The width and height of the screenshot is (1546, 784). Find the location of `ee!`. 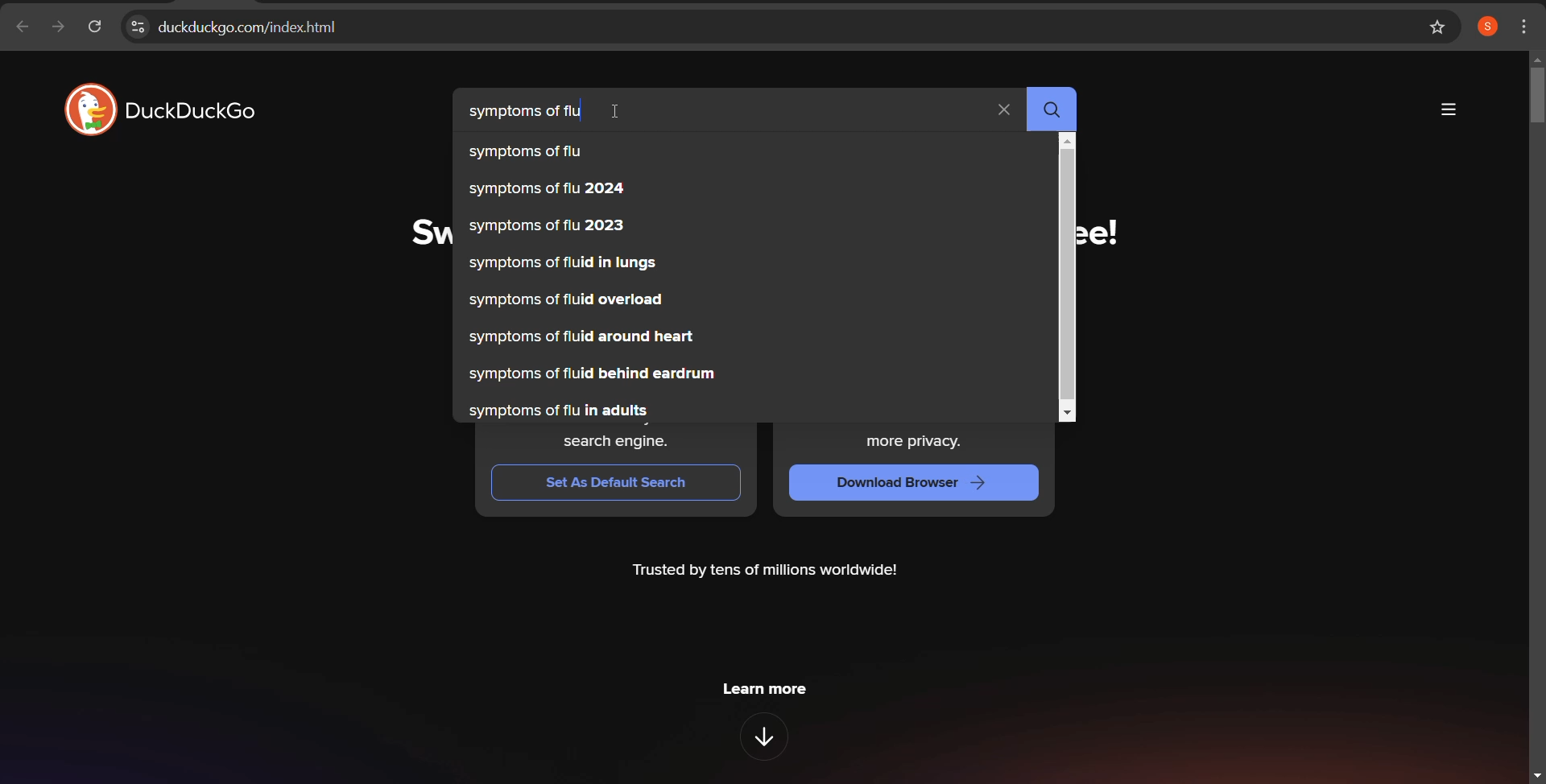

ee! is located at coordinates (1102, 233).